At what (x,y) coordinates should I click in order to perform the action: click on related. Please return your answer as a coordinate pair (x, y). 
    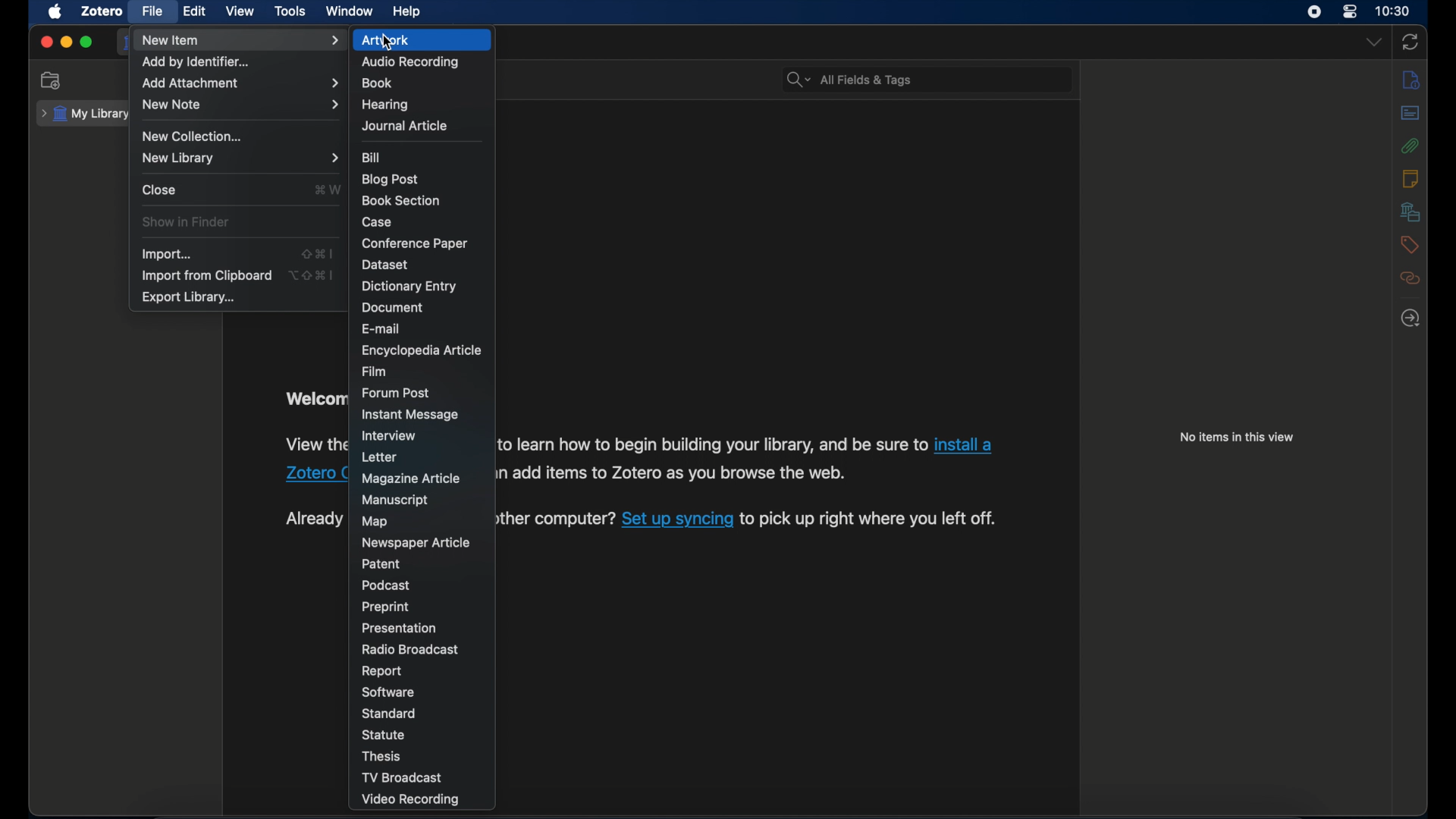
    Looking at the image, I should click on (1410, 278).